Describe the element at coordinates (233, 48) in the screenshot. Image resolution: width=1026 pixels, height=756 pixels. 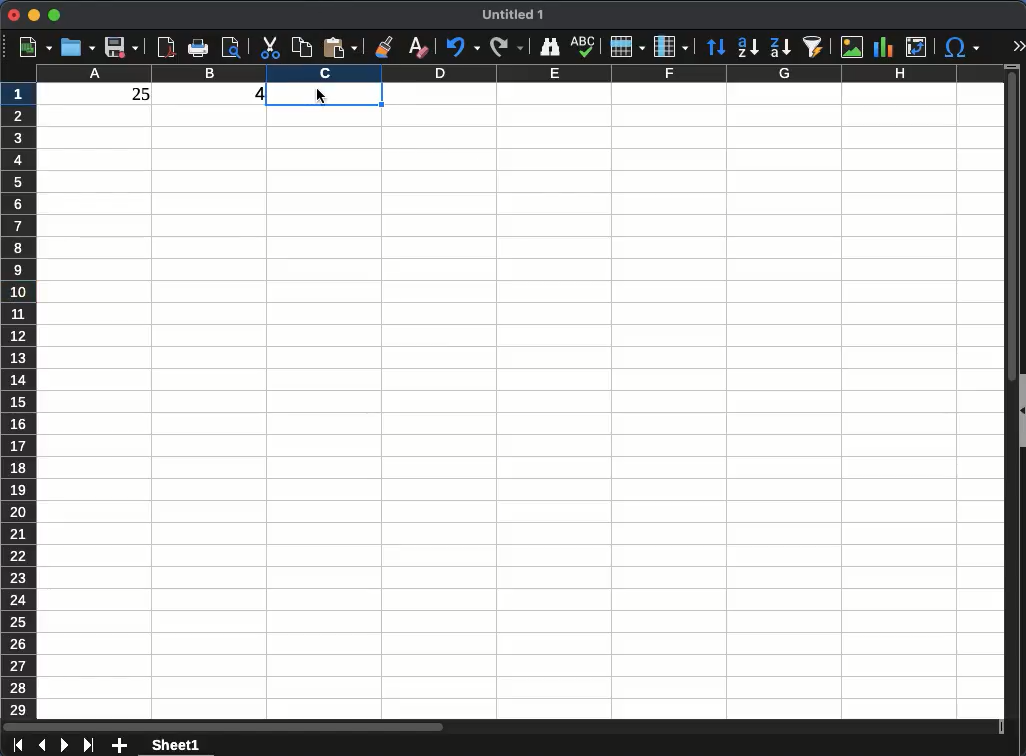
I see `print preview` at that location.